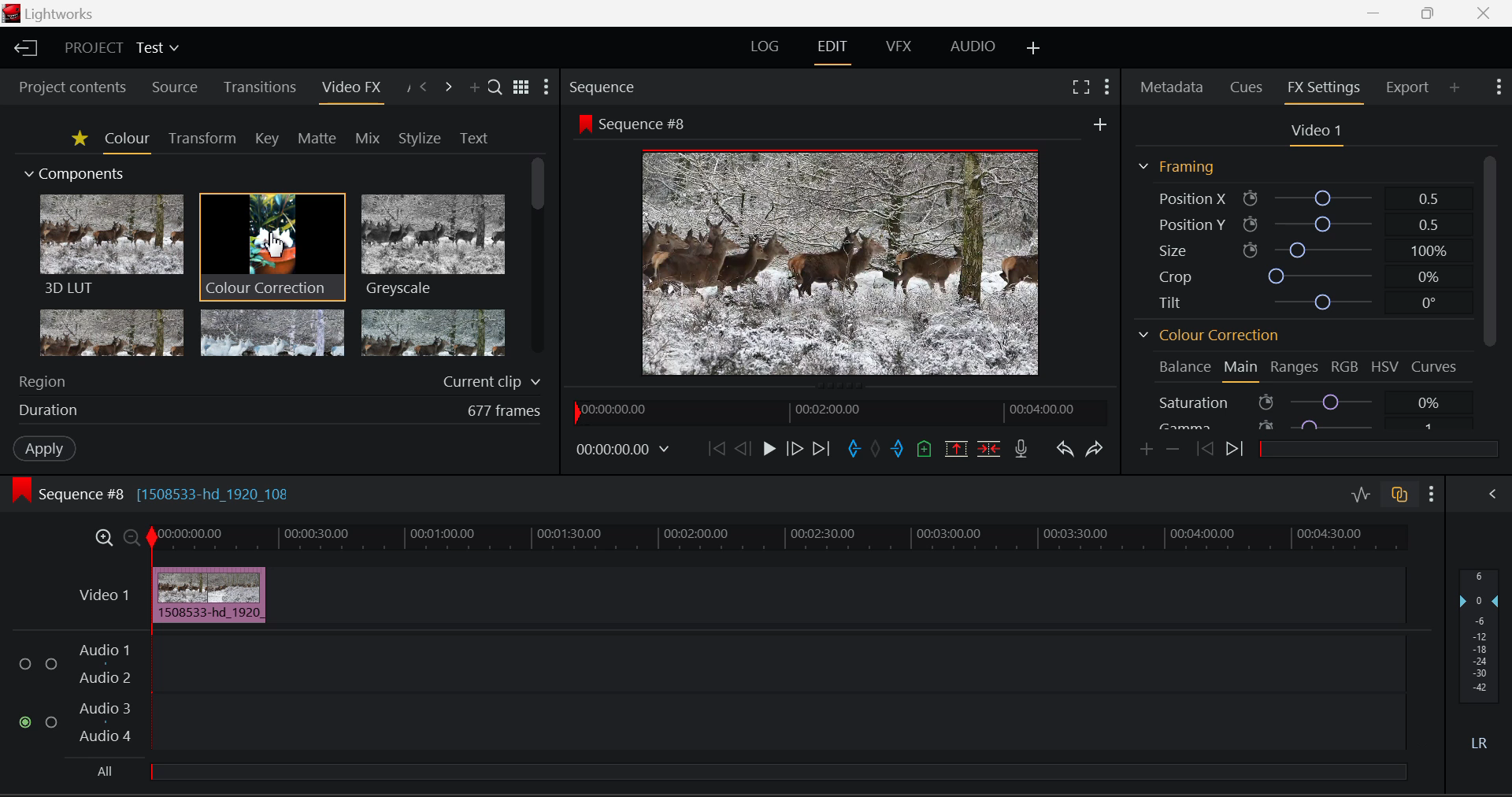 The width and height of the screenshot is (1512, 797). I want to click on Video Layer, so click(105, 595).